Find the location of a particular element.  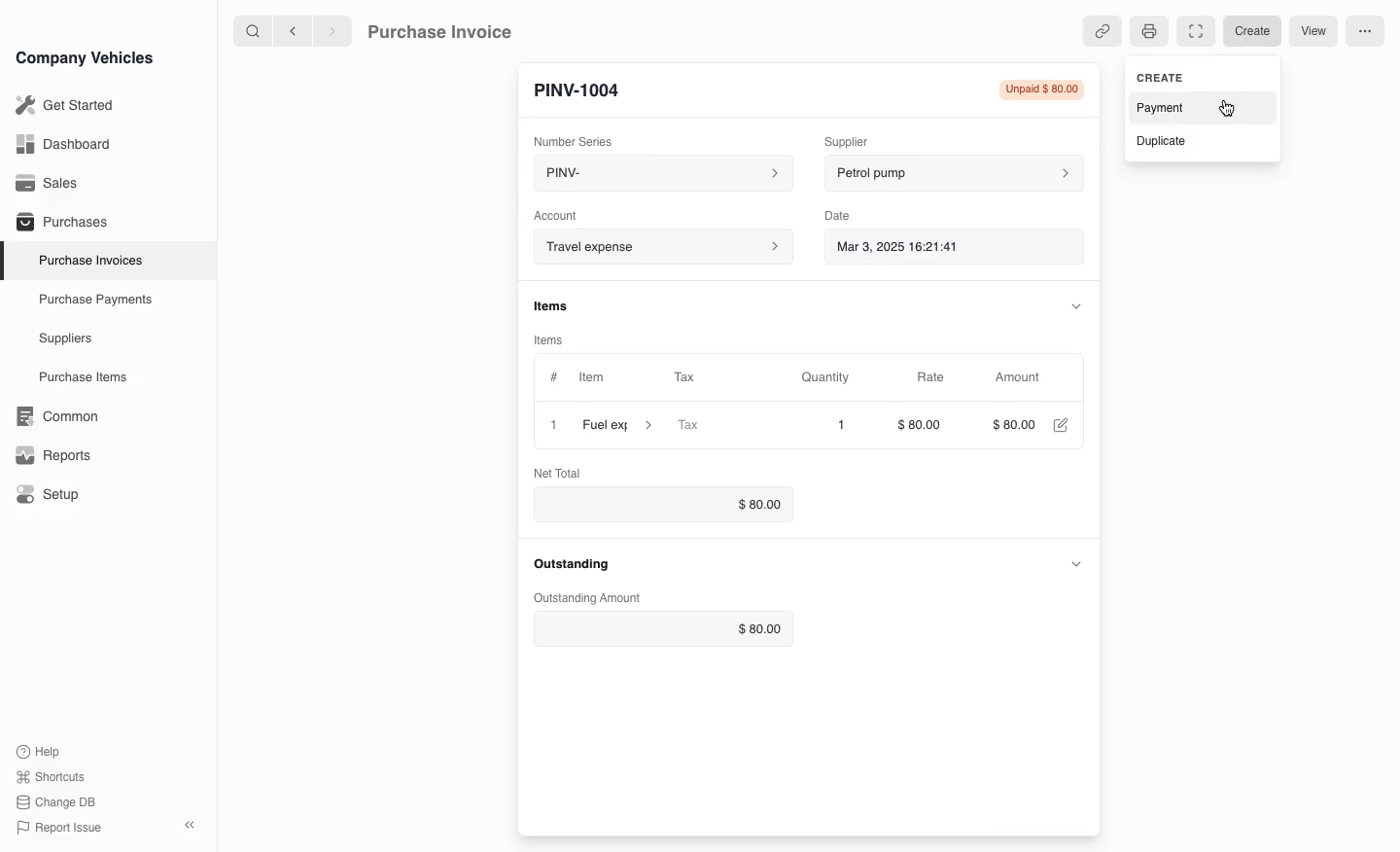

$0.00 is located at coordinates (663, 505).